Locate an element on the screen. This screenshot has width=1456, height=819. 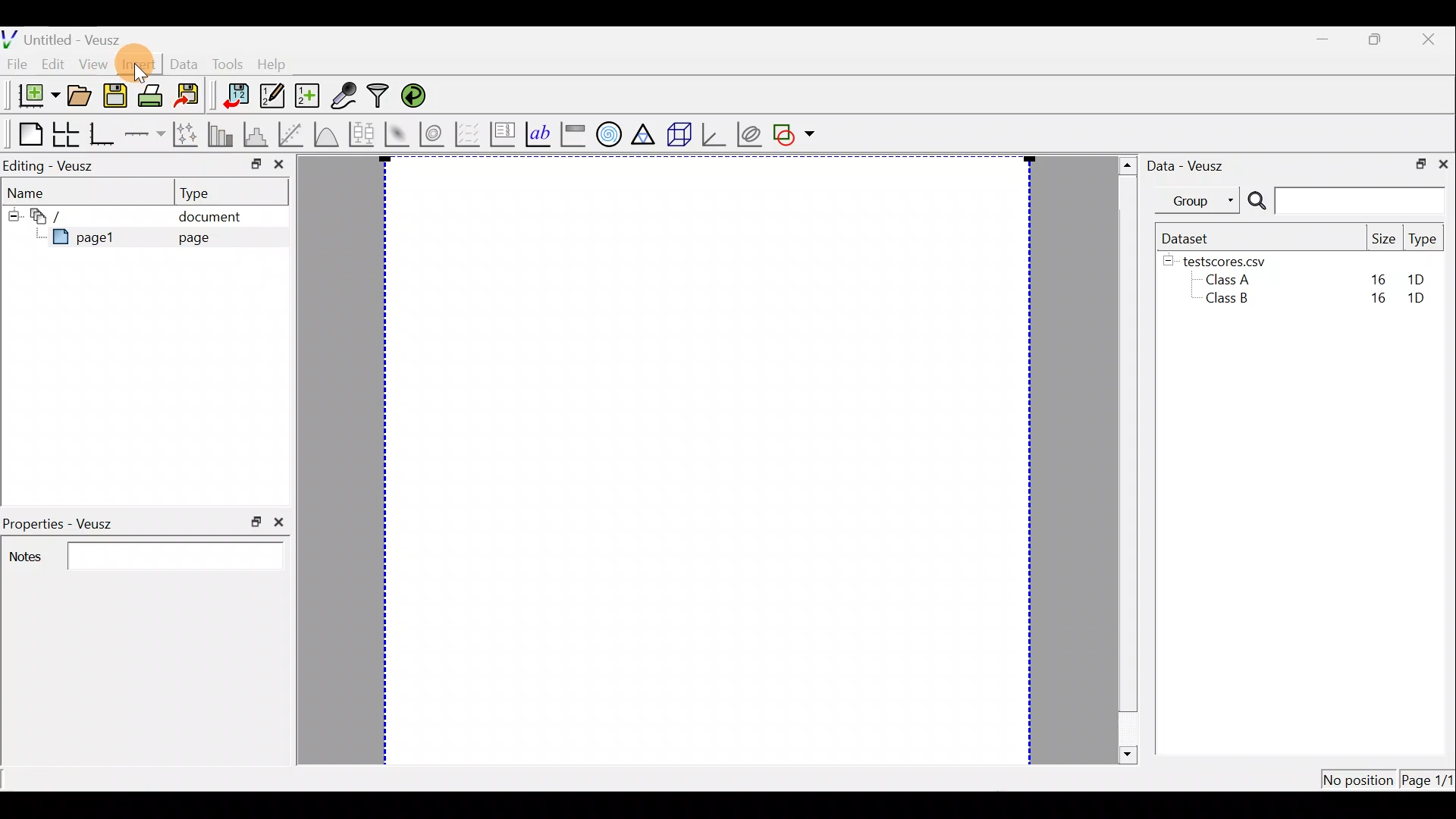
3d scene is located at coordinates (679, 134).